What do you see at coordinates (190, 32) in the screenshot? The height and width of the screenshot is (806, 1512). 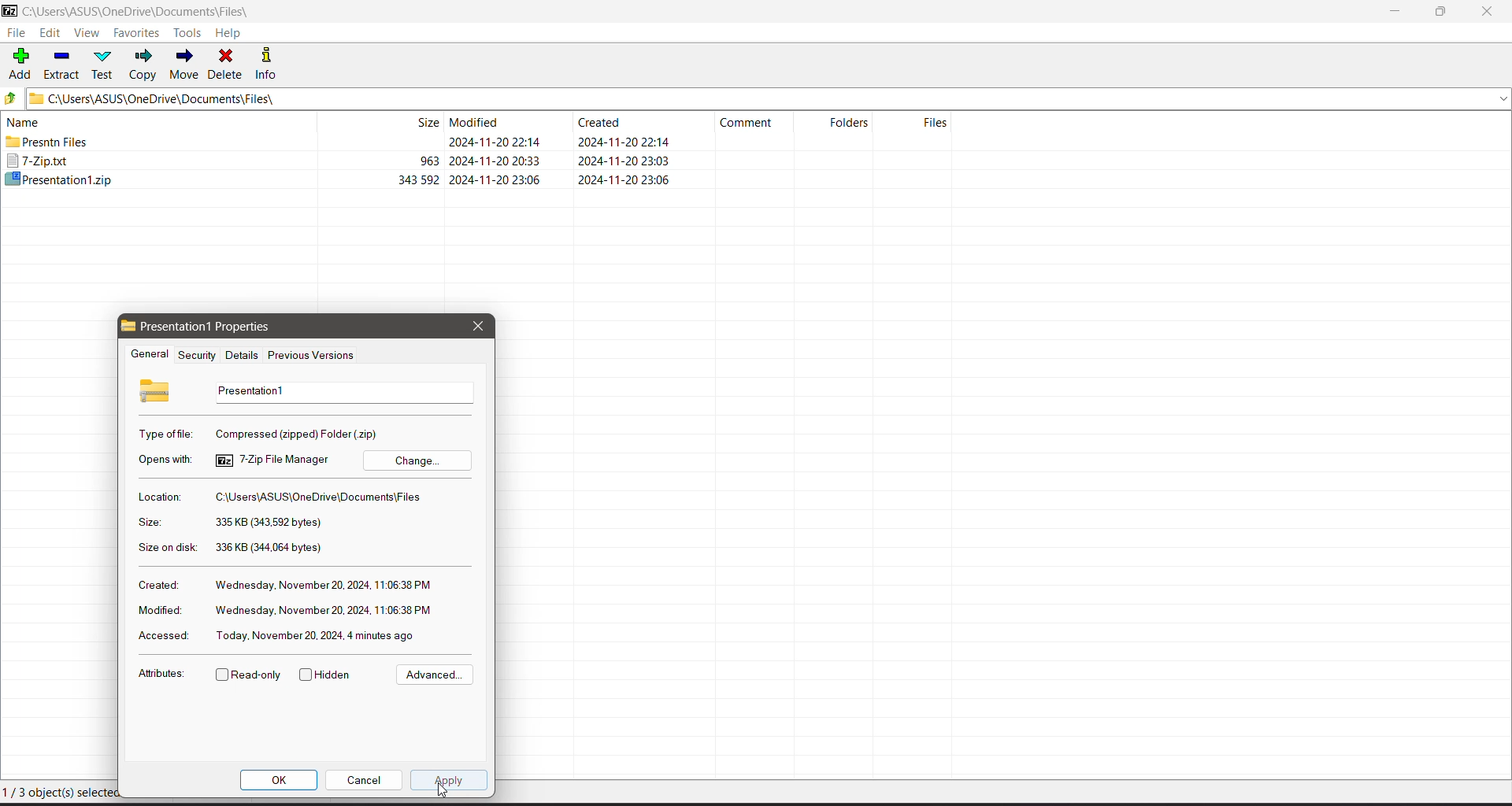 I see `Tools` at bounding box center [190, 32].